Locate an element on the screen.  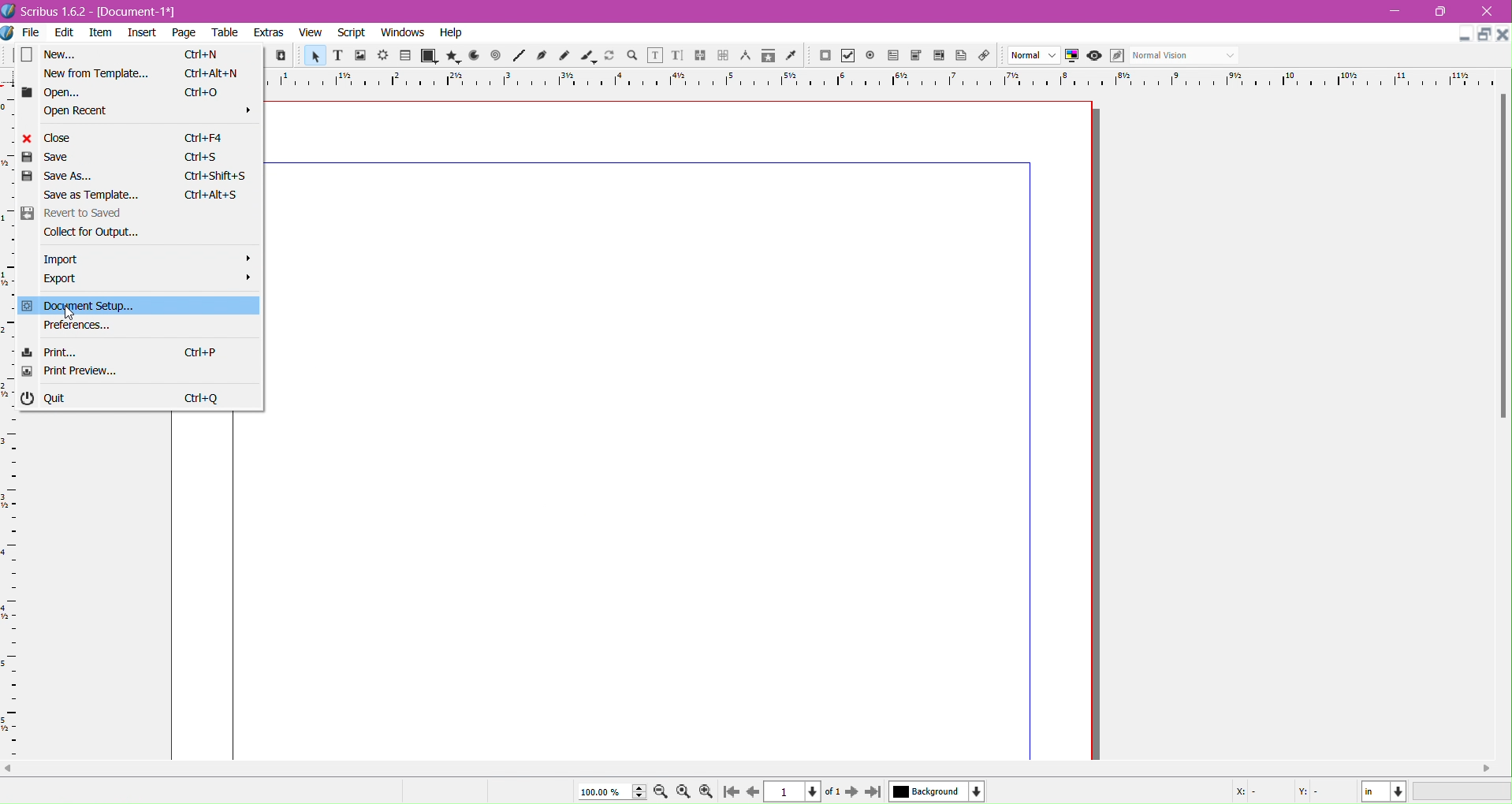
go to start page is located at coordinates (729, 793).